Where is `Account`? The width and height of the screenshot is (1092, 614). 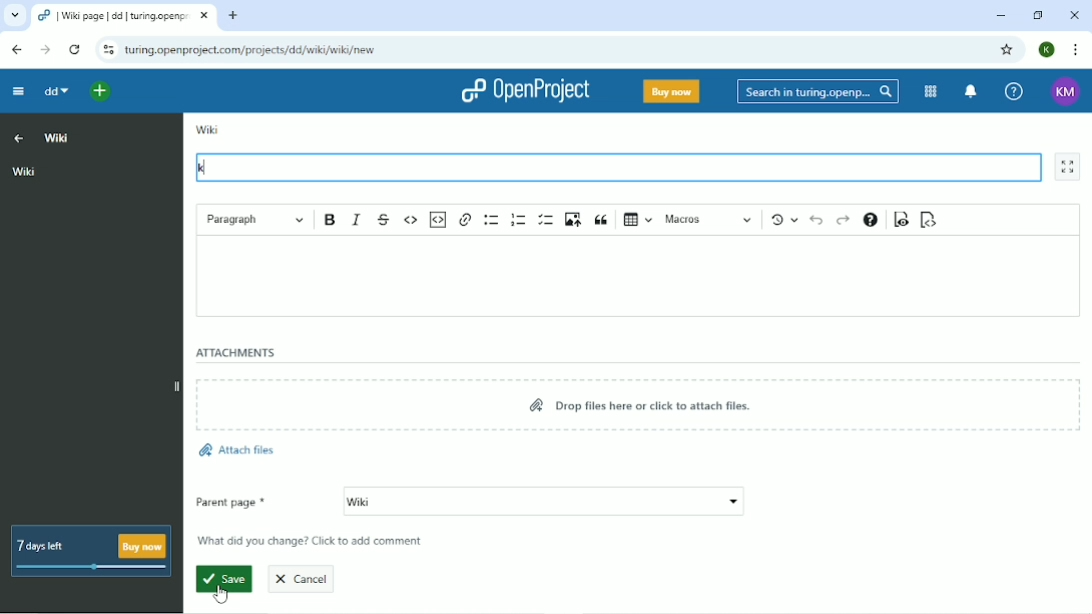 Account is located at coordinates (1047, 50).